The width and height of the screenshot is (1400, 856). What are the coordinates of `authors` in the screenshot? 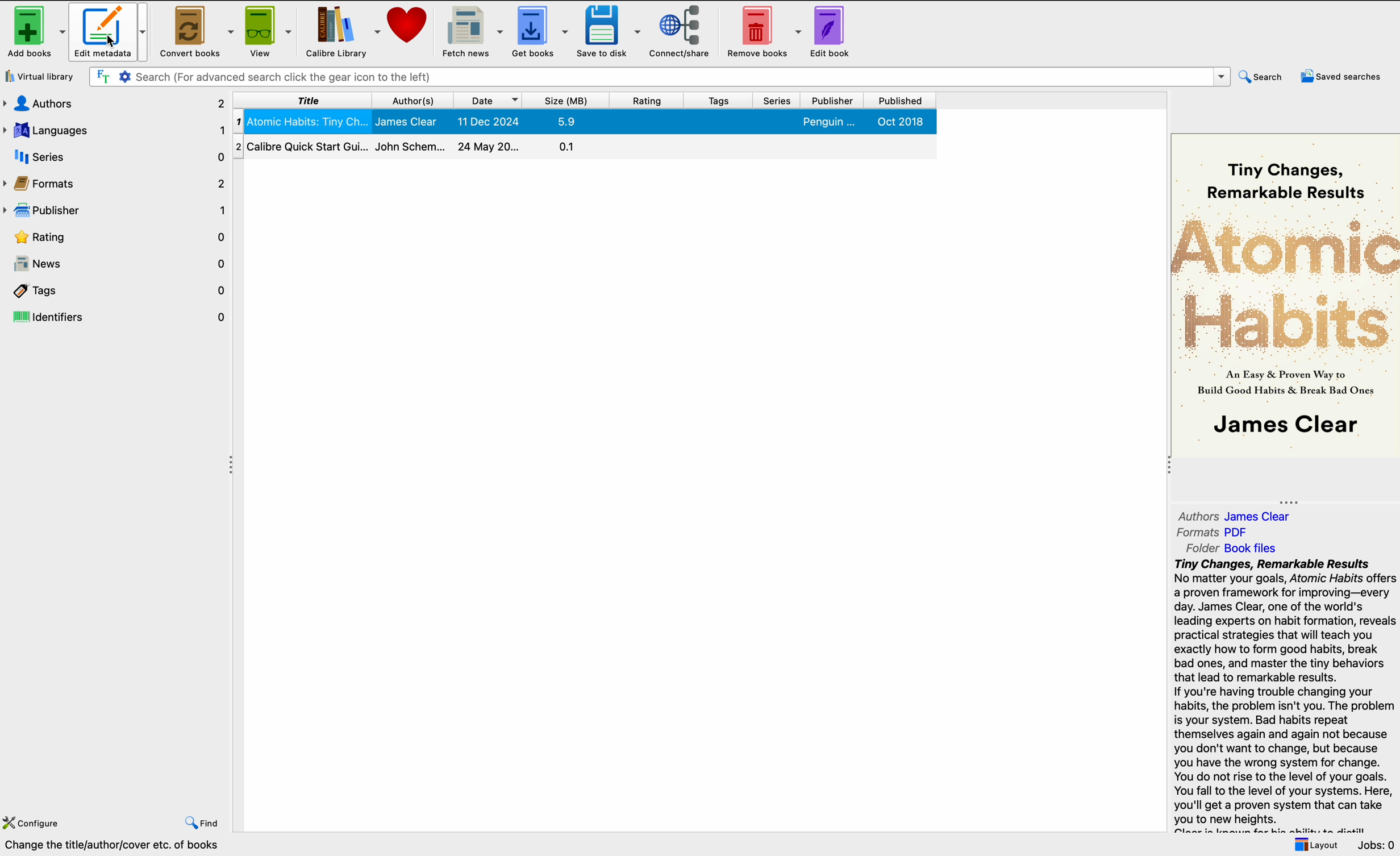 It's located at (1238, 516).